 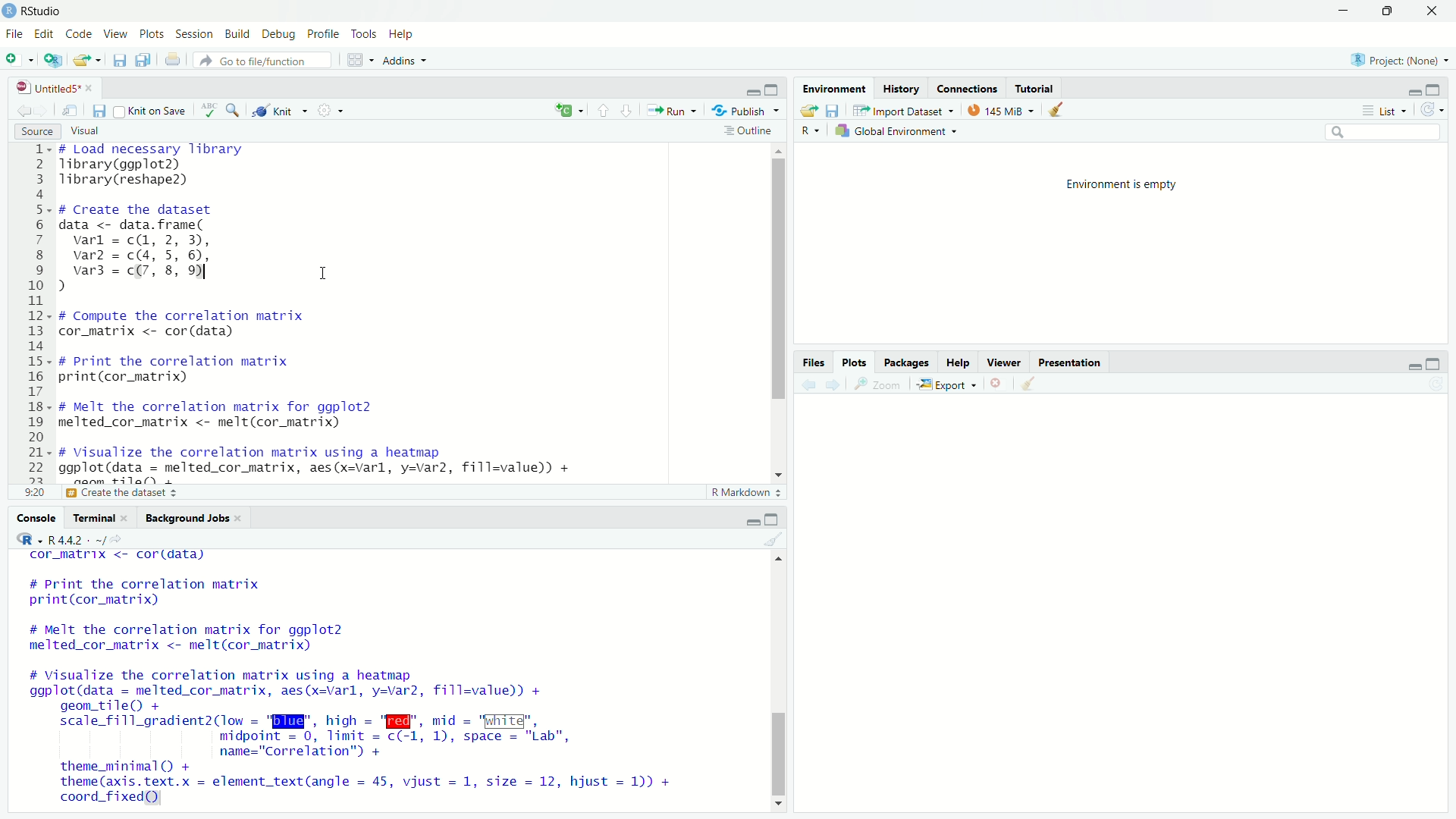 I want to click on vertical scrollbar, so click(x=780, y=756).